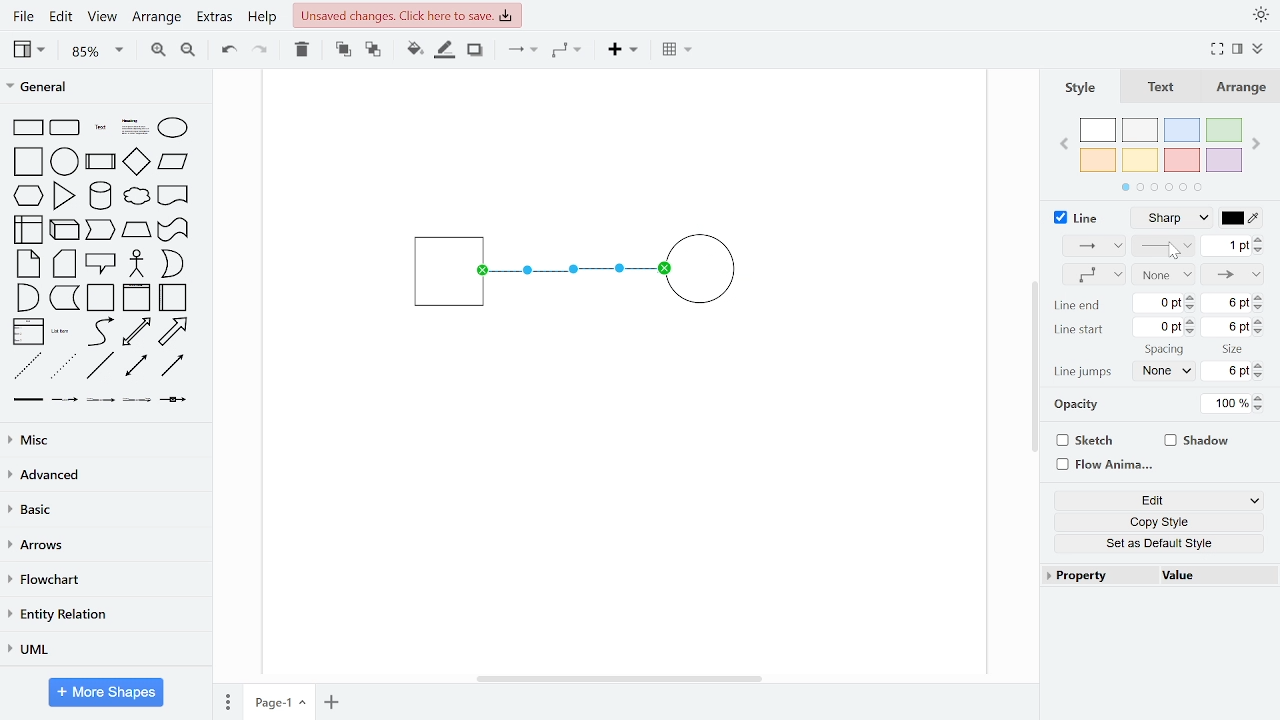 This screenshot has width=1280, height=720. Describe the element at coordinates (261, 49) in the screenshot. I see `redo` at that location.